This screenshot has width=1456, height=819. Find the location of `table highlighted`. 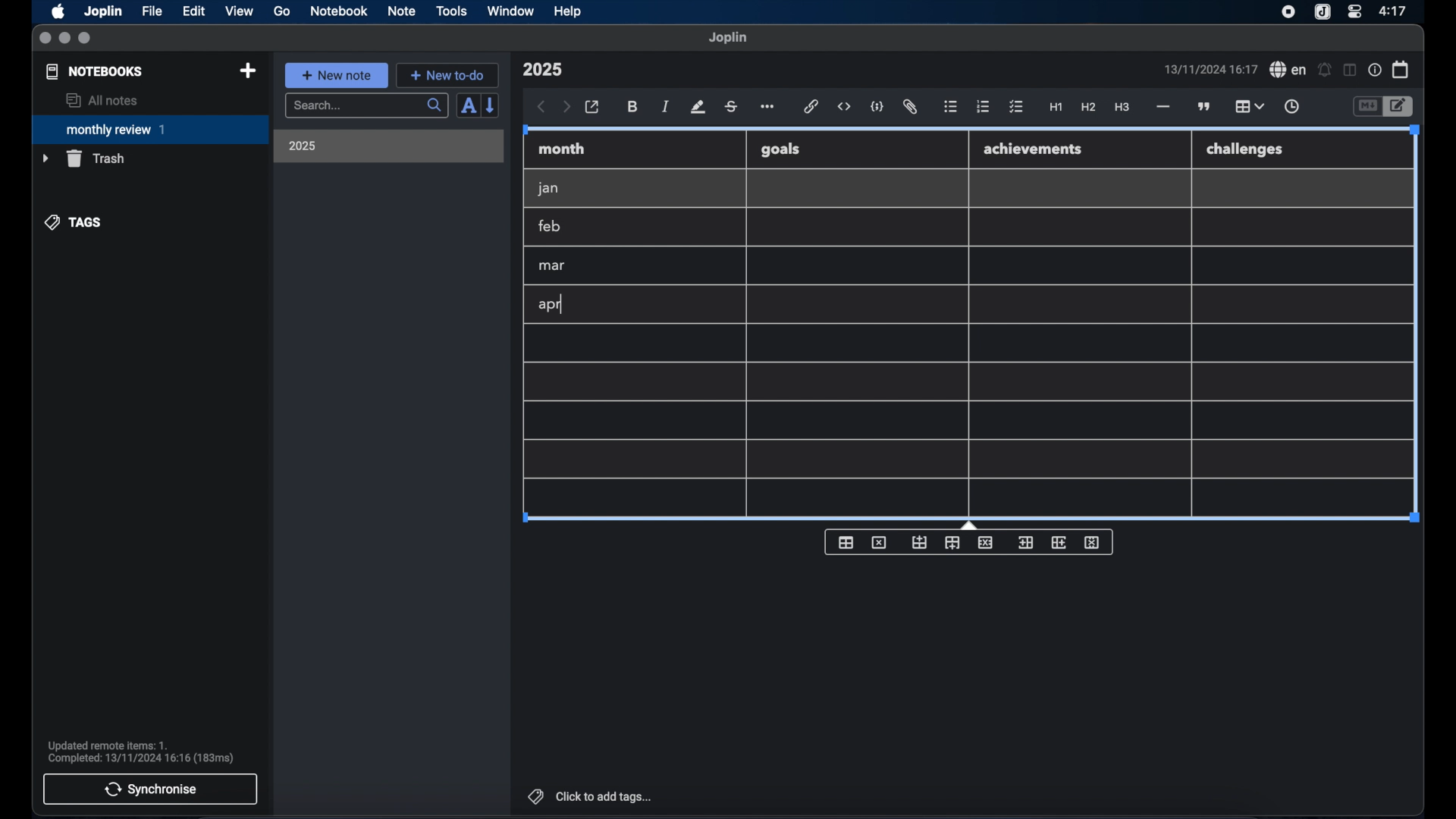

table highlighted is located at coordinates (1247, 106).